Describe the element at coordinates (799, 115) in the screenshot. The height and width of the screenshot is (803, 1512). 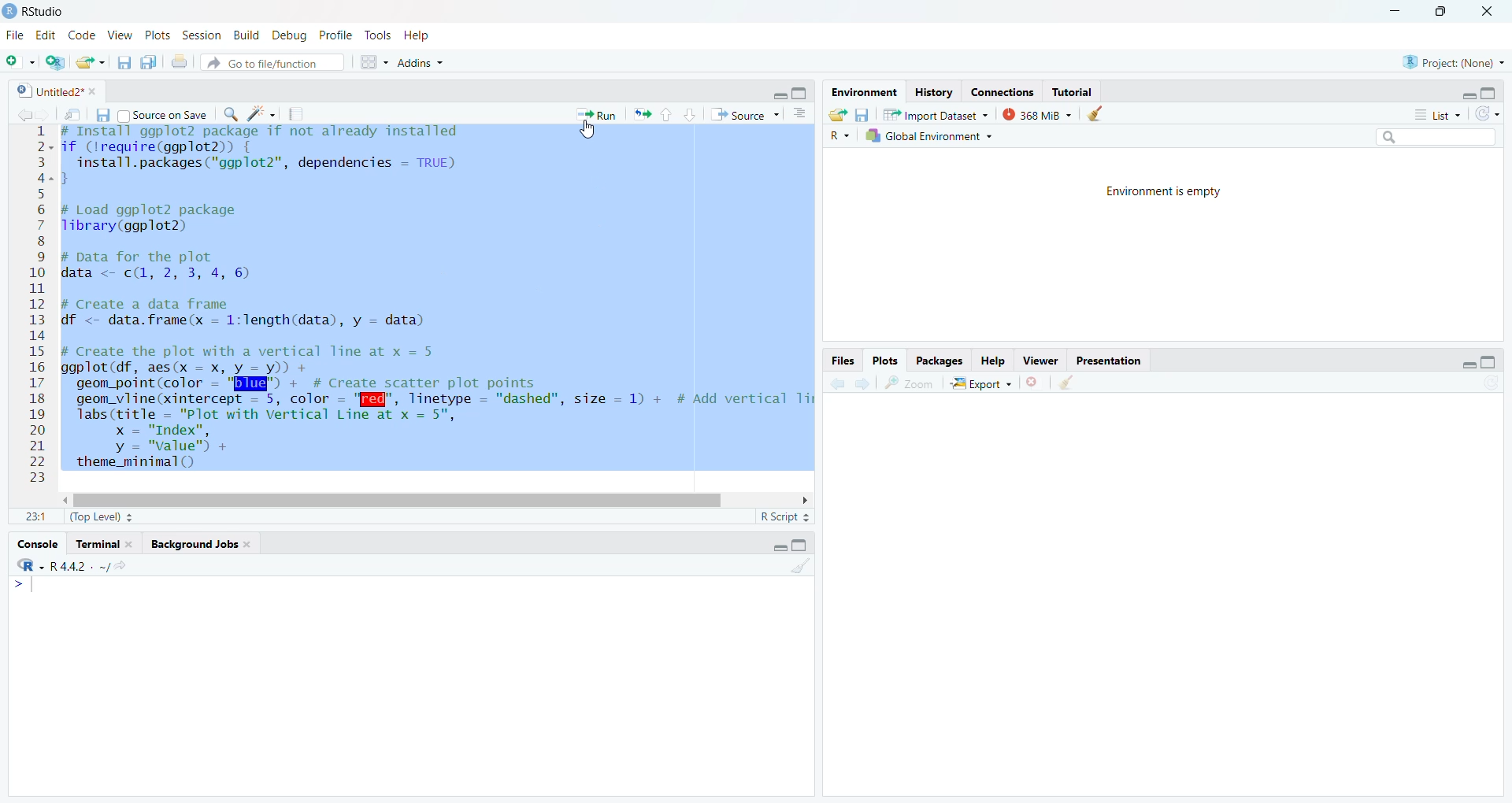
I see `options` at that location.